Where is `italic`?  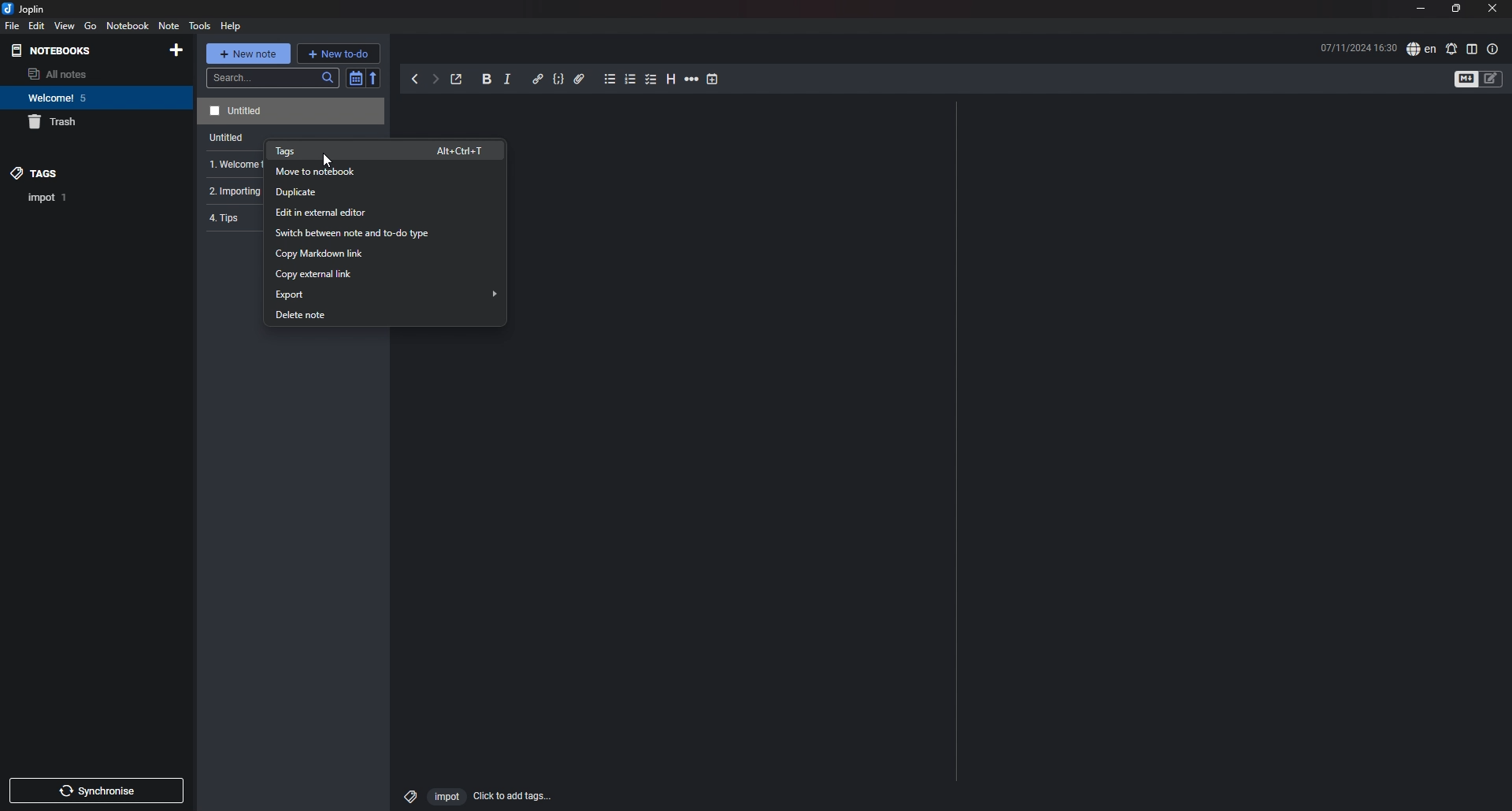
italic is located at coordinates (507, 80).